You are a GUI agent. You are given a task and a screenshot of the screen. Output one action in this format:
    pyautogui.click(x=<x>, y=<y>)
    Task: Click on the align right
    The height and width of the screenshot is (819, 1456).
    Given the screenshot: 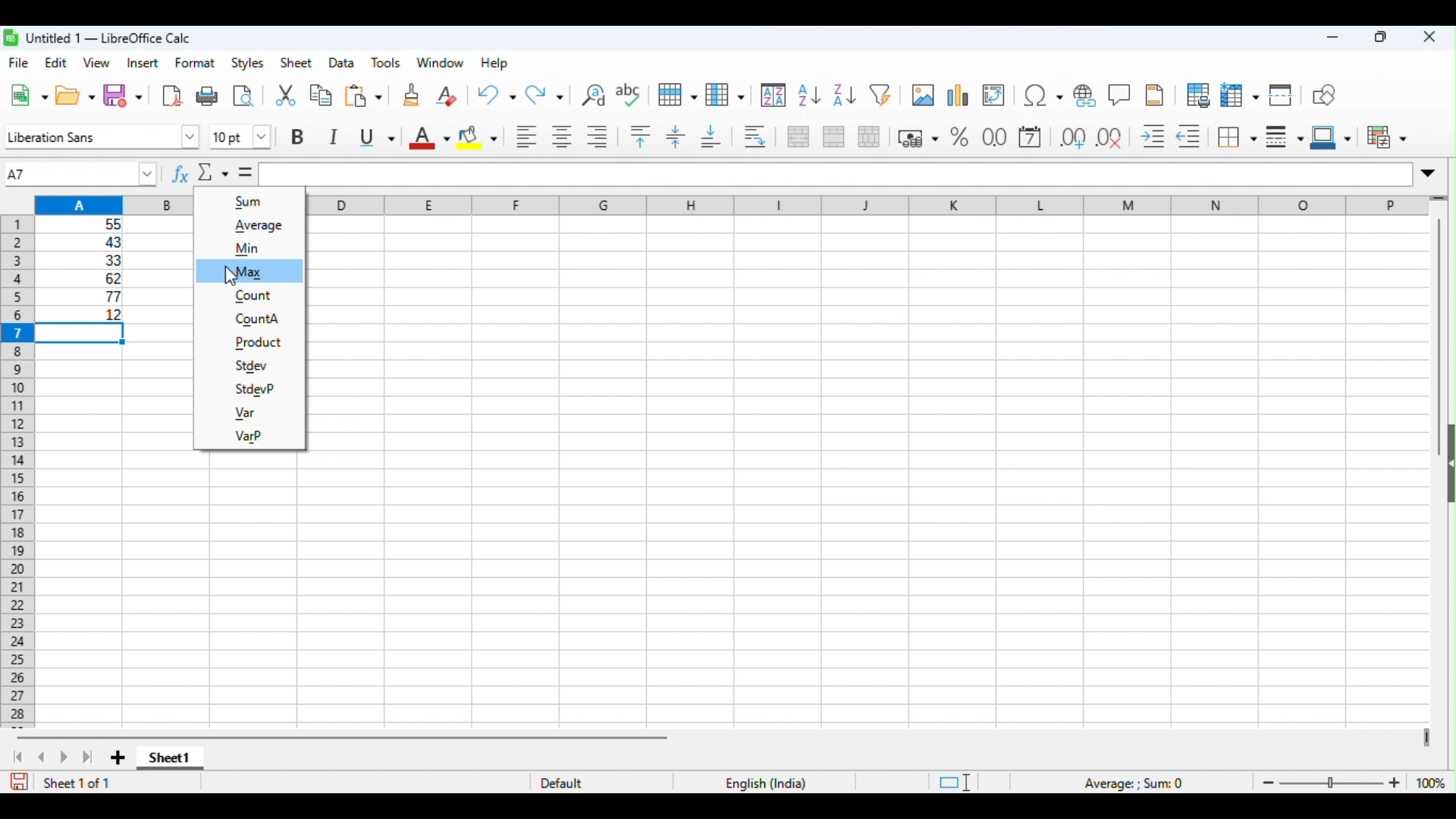 What is the action you would take?
    pyautogui.click(x=599, y=137)
    